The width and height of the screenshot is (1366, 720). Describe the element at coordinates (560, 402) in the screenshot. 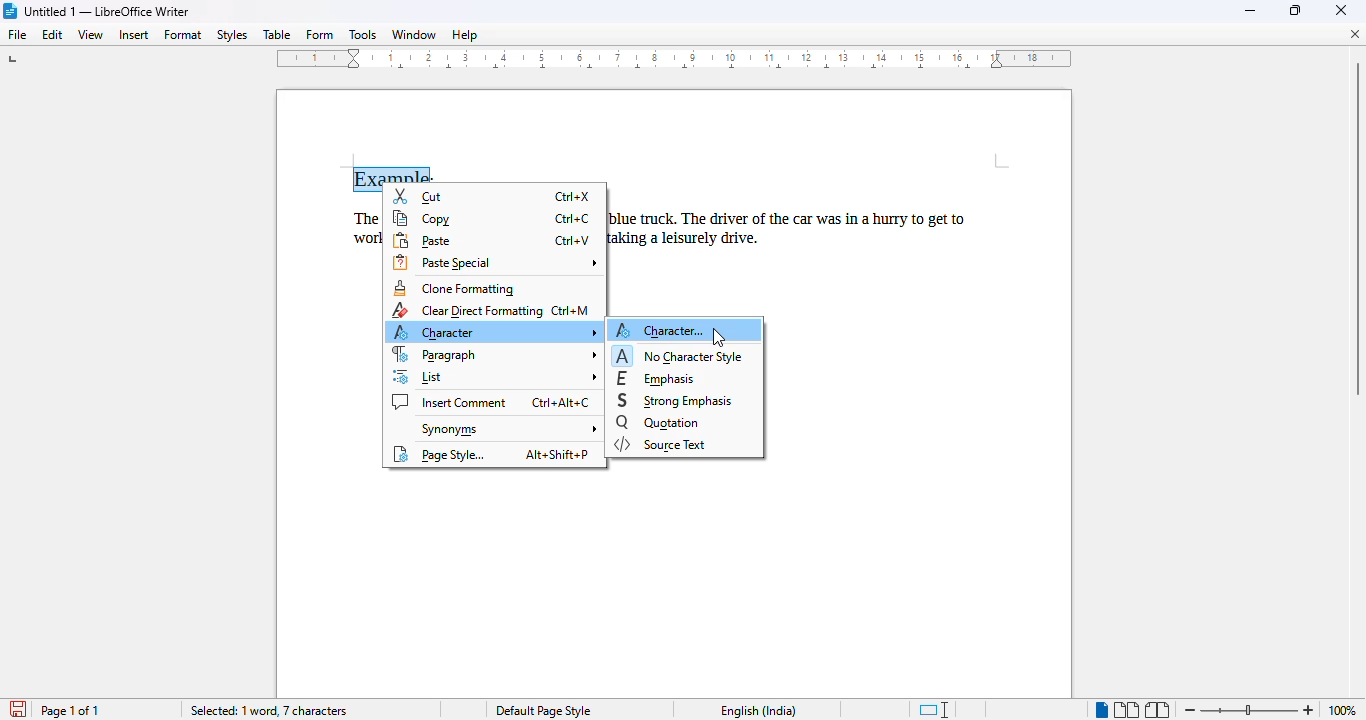

I see `Ctrl+Alt+C` at that location.